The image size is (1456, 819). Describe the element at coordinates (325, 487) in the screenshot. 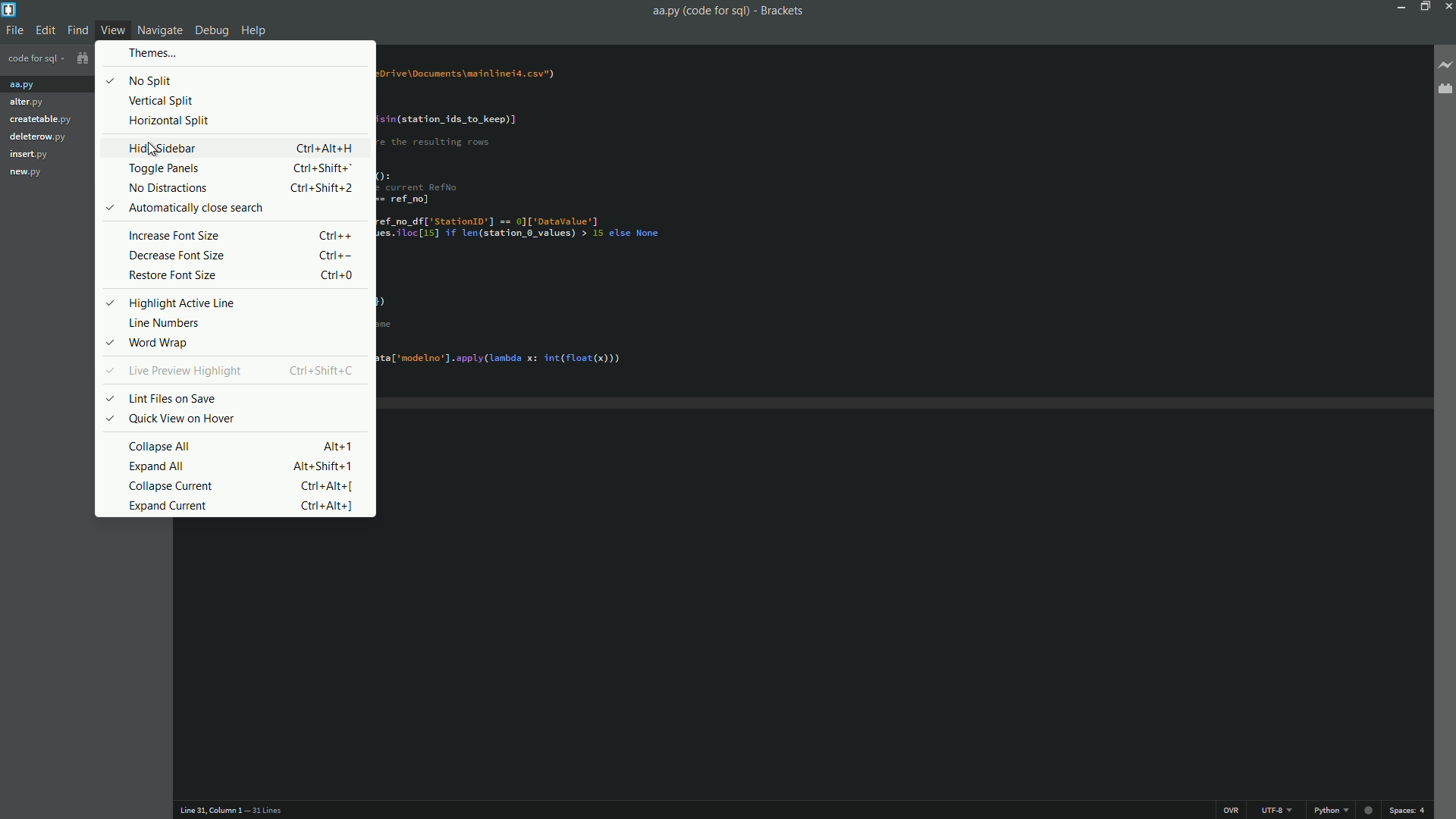

I see `keyboard shortcut` at that location.